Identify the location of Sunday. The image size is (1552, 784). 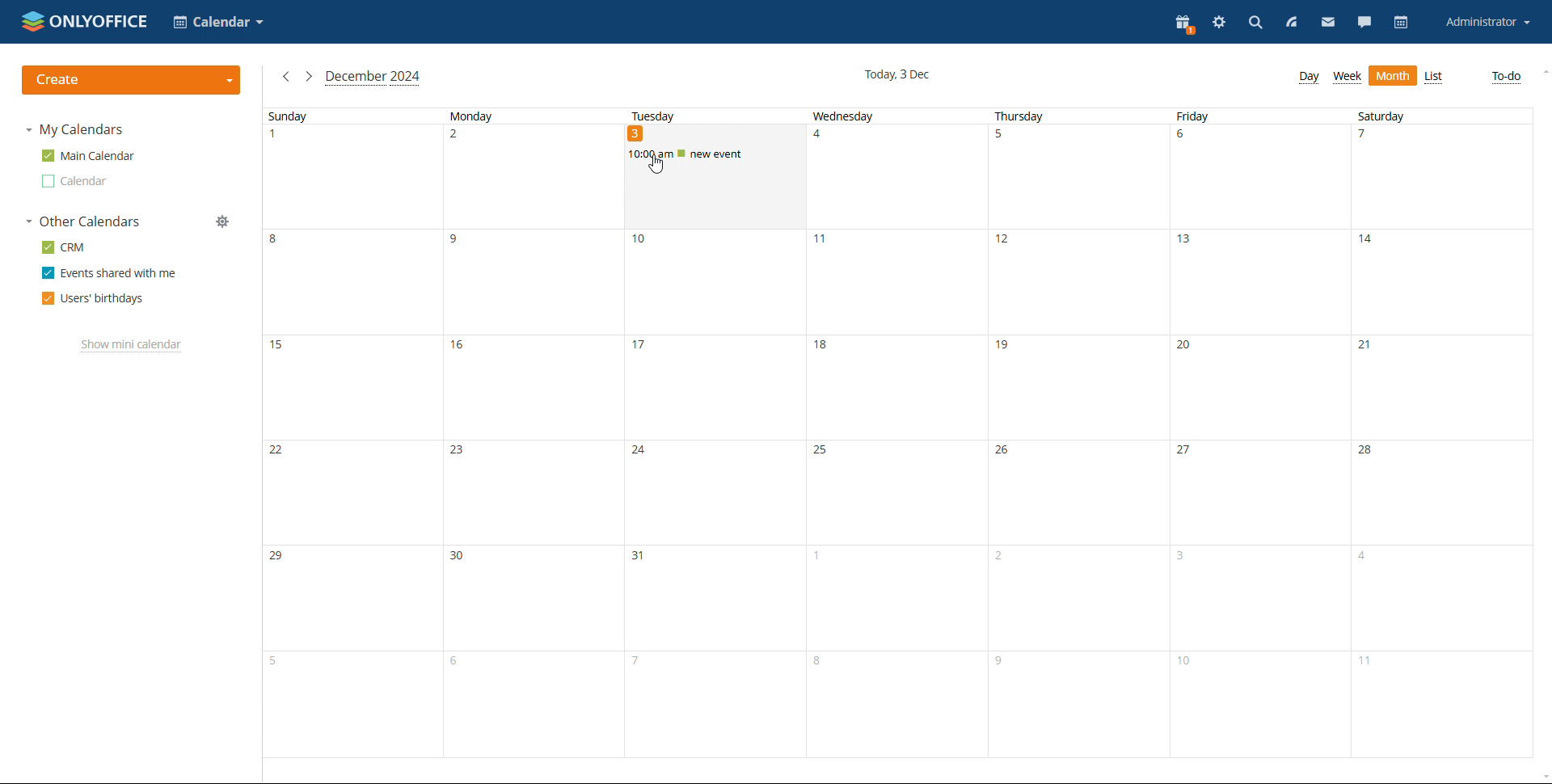
(348, 116).